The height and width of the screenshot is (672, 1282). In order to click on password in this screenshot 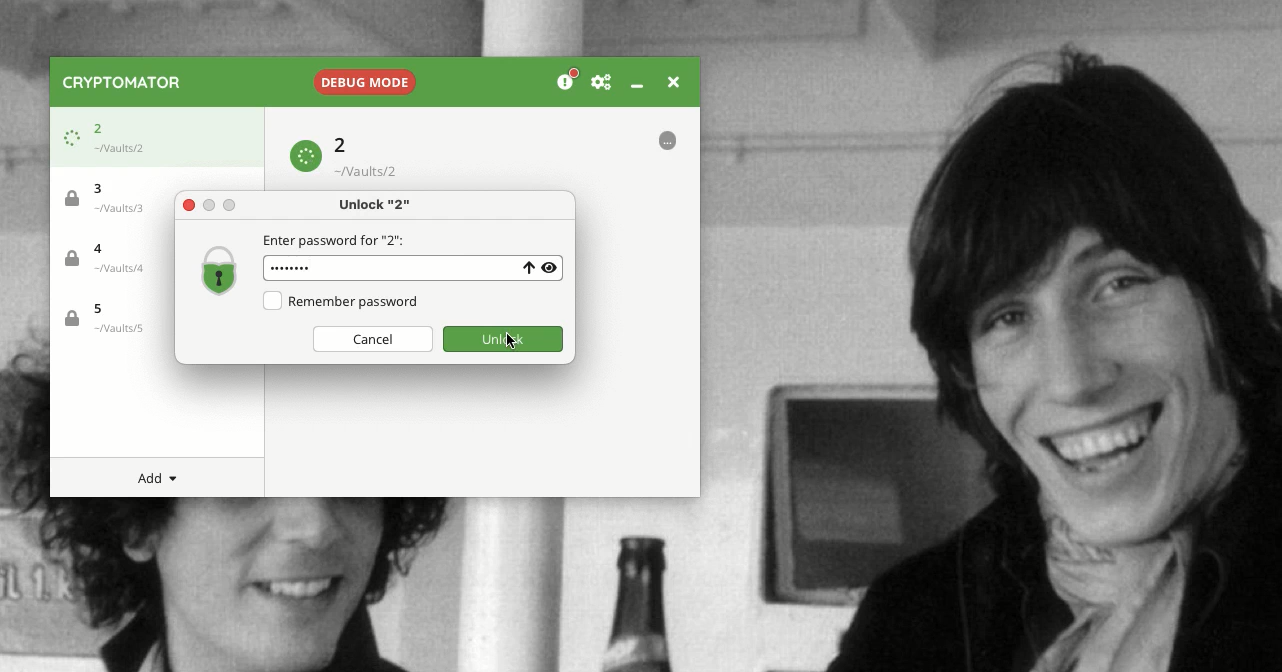, I will do `click(323, 267)`.